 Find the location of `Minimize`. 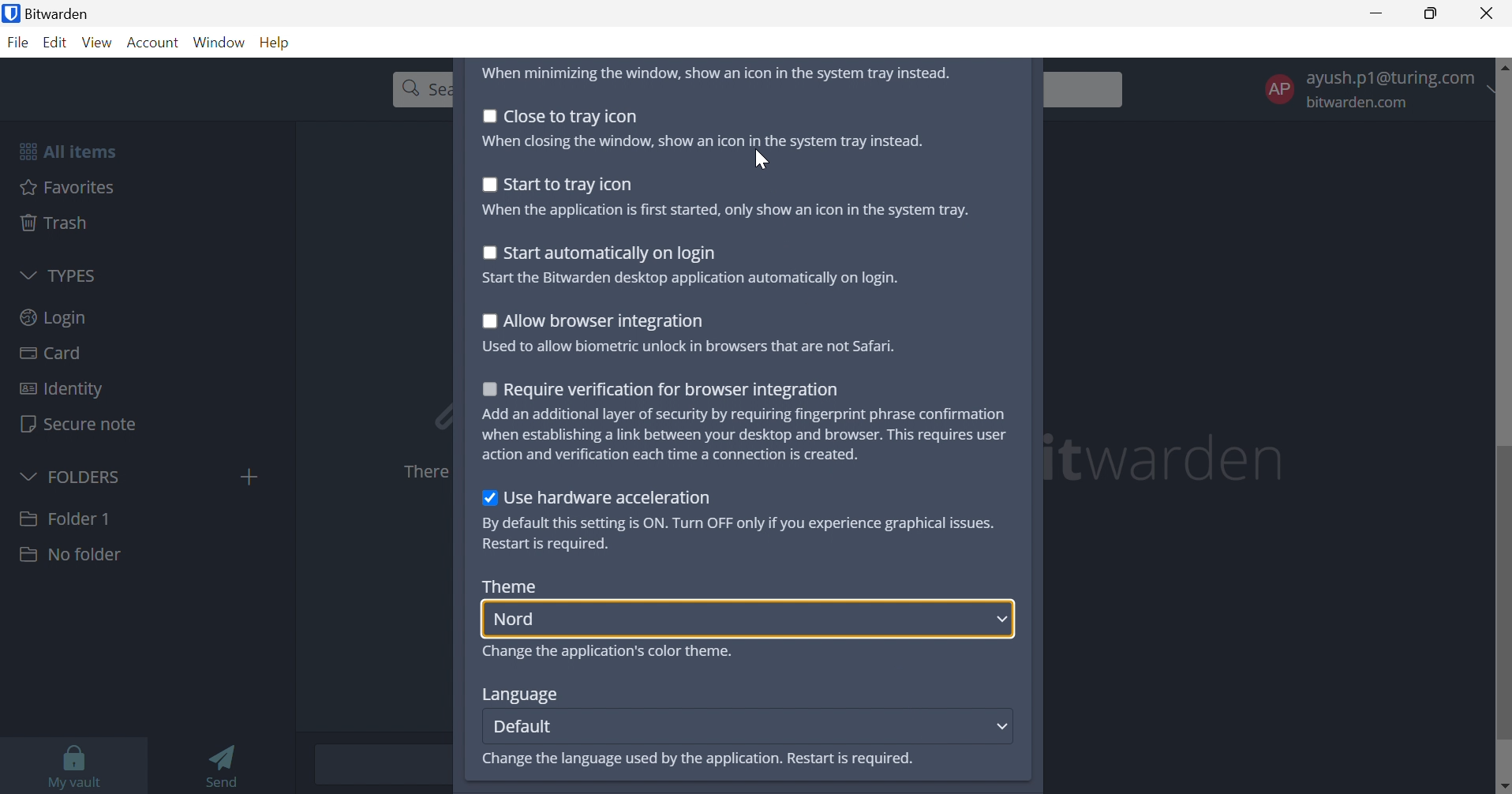

Minimize is located at coordinates (1377, 12).